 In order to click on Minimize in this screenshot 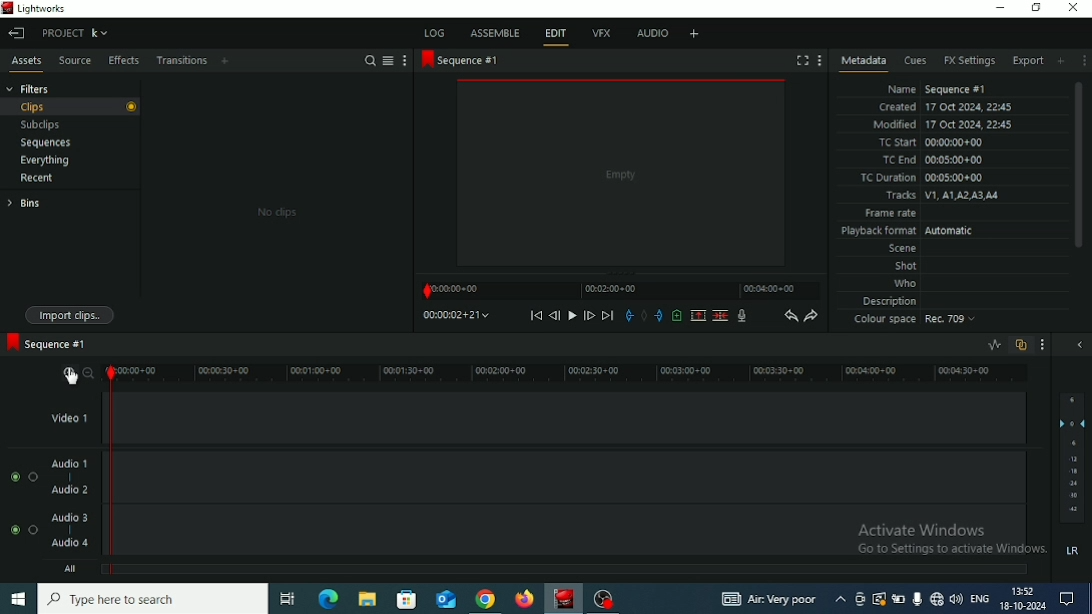, I will do `click(1001, 9)`.